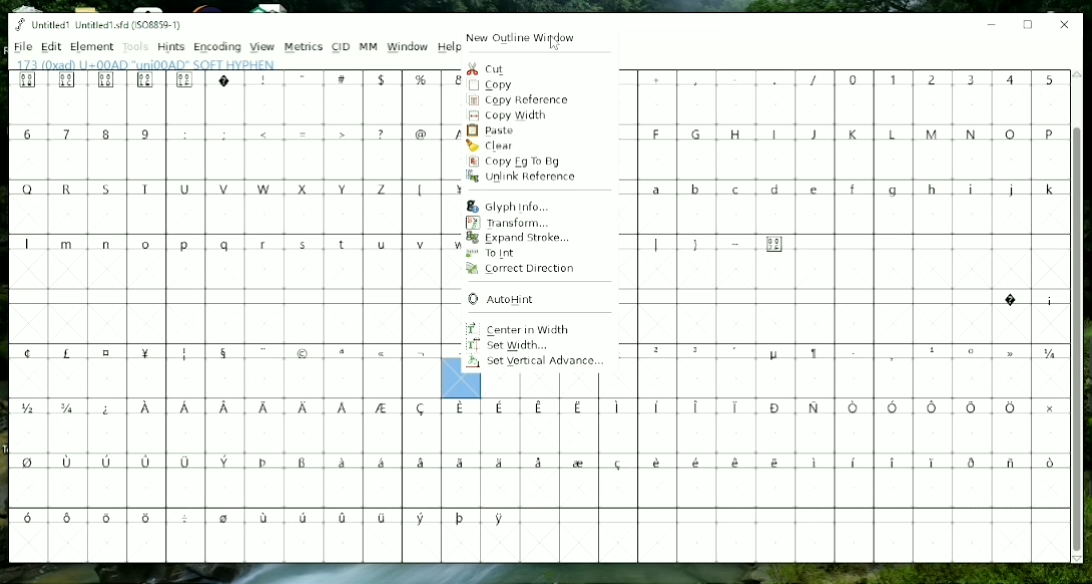  I want to click on Element, so click(91, 47).